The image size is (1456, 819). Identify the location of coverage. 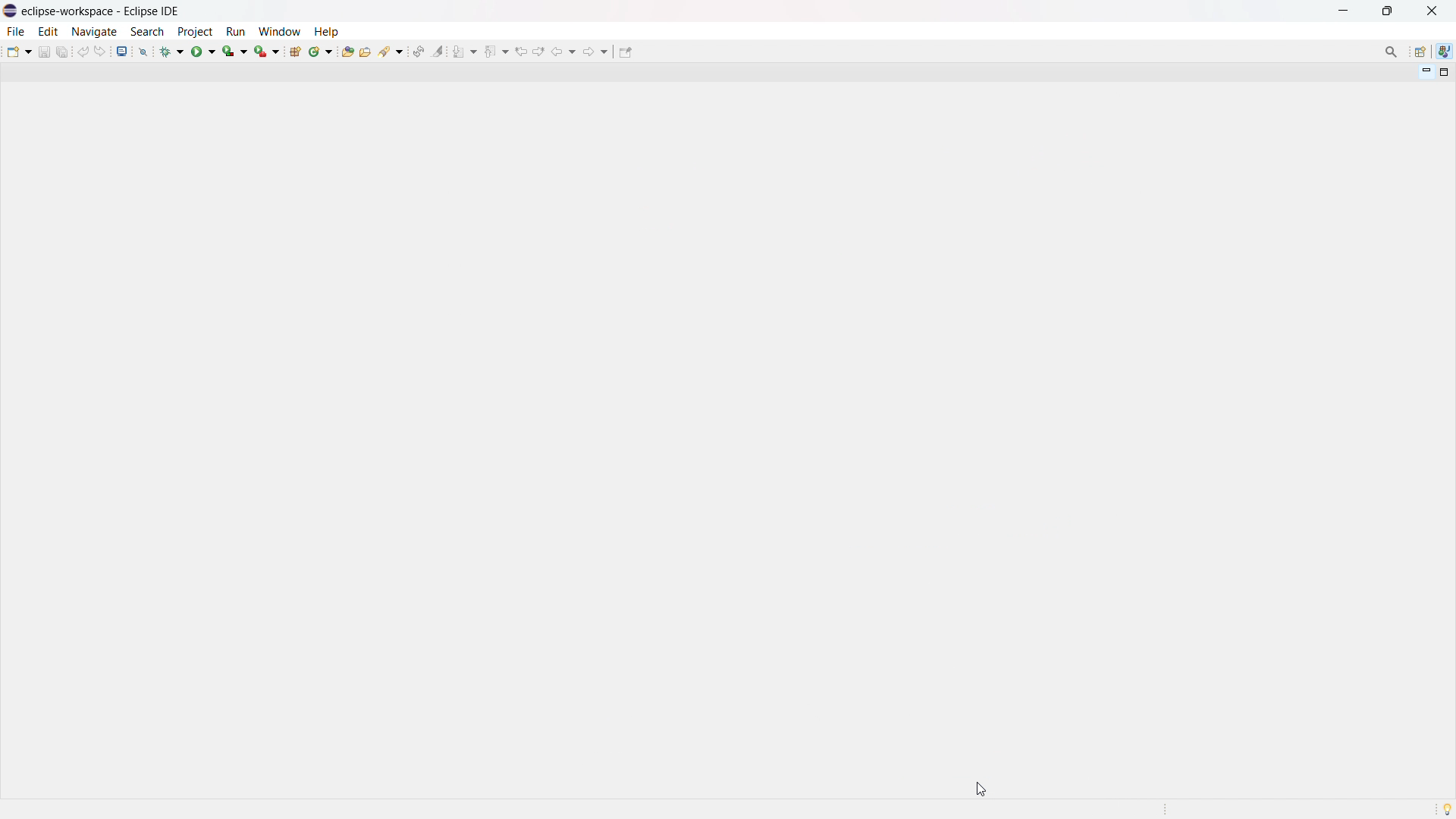
(235, 51).